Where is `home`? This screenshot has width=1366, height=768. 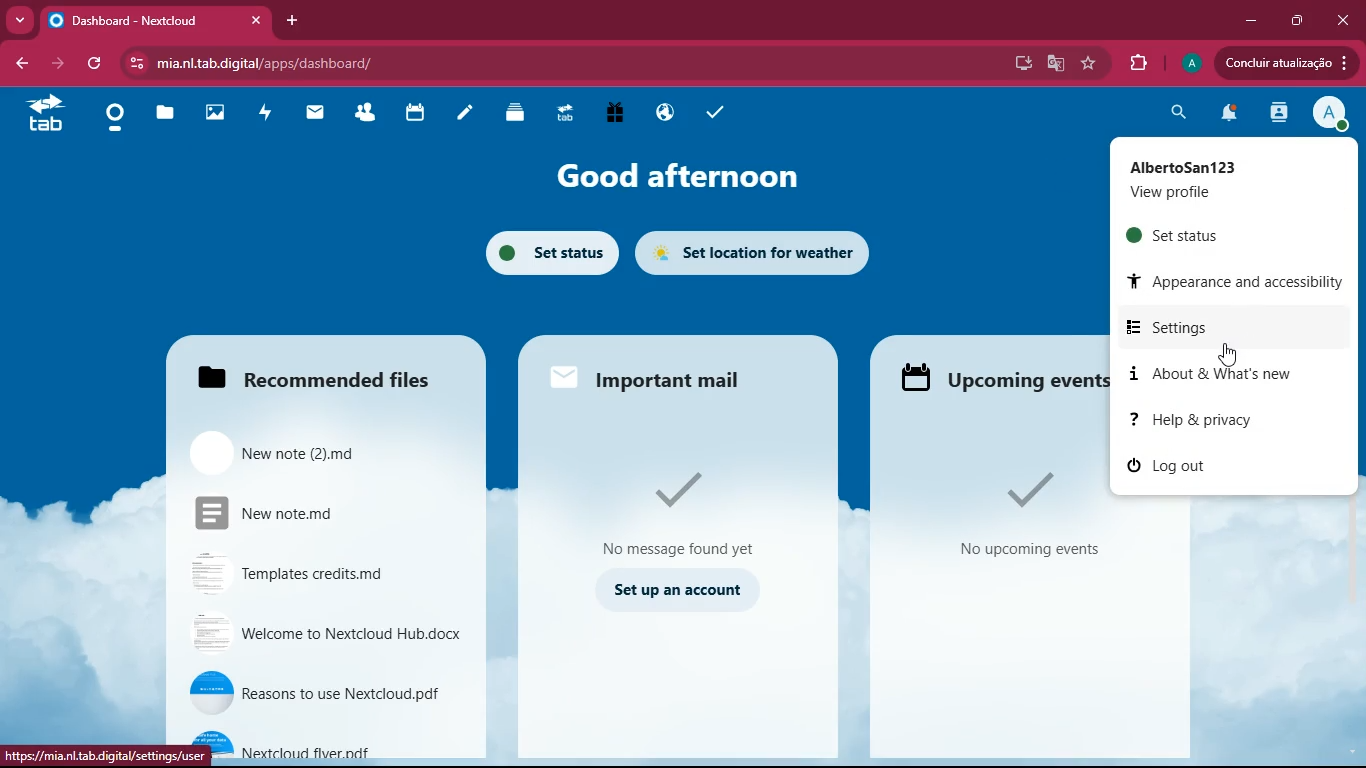
home is located at coordinates (110, 121).